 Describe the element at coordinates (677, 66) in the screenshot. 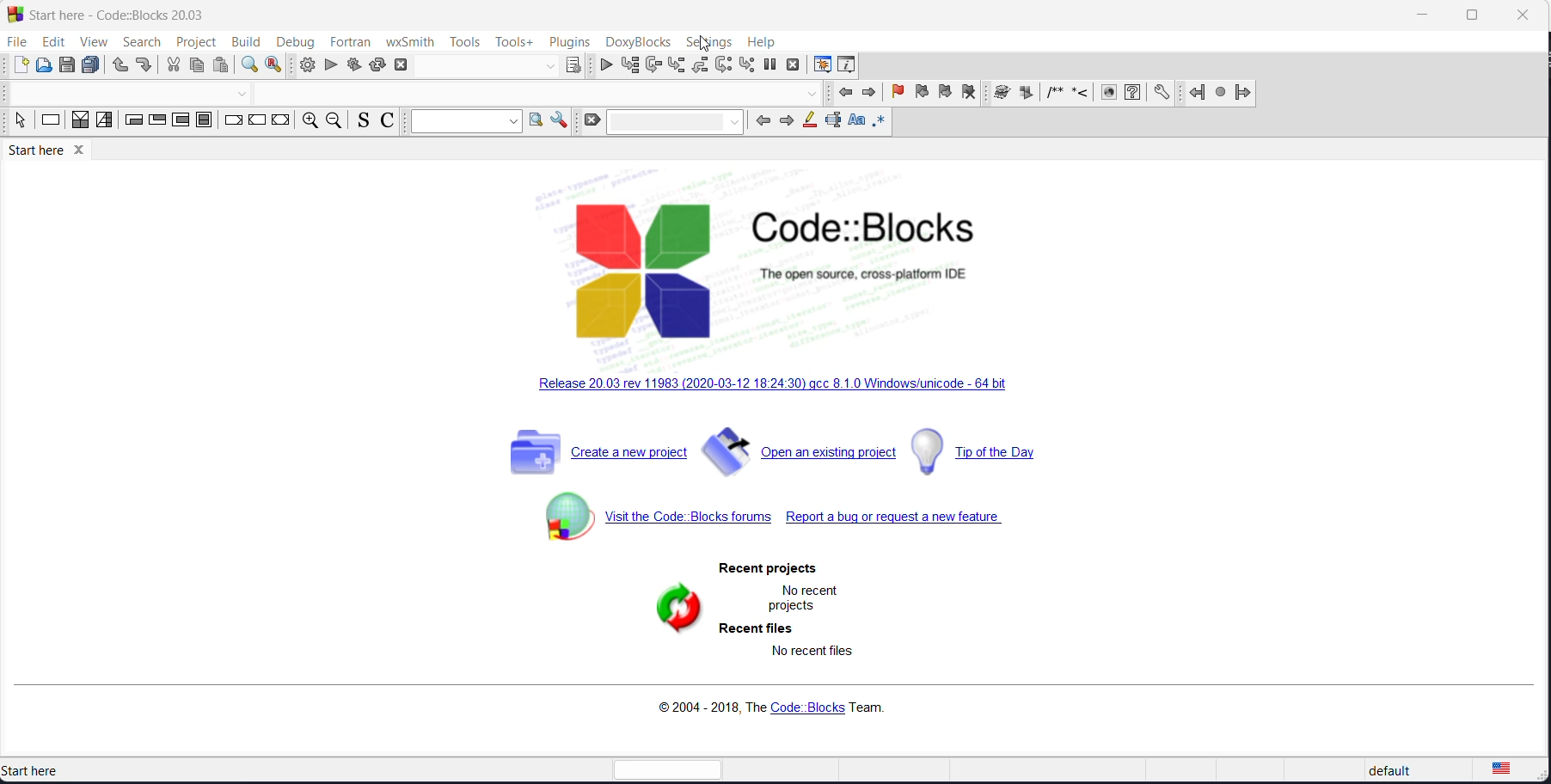

I see `step into` at that location.